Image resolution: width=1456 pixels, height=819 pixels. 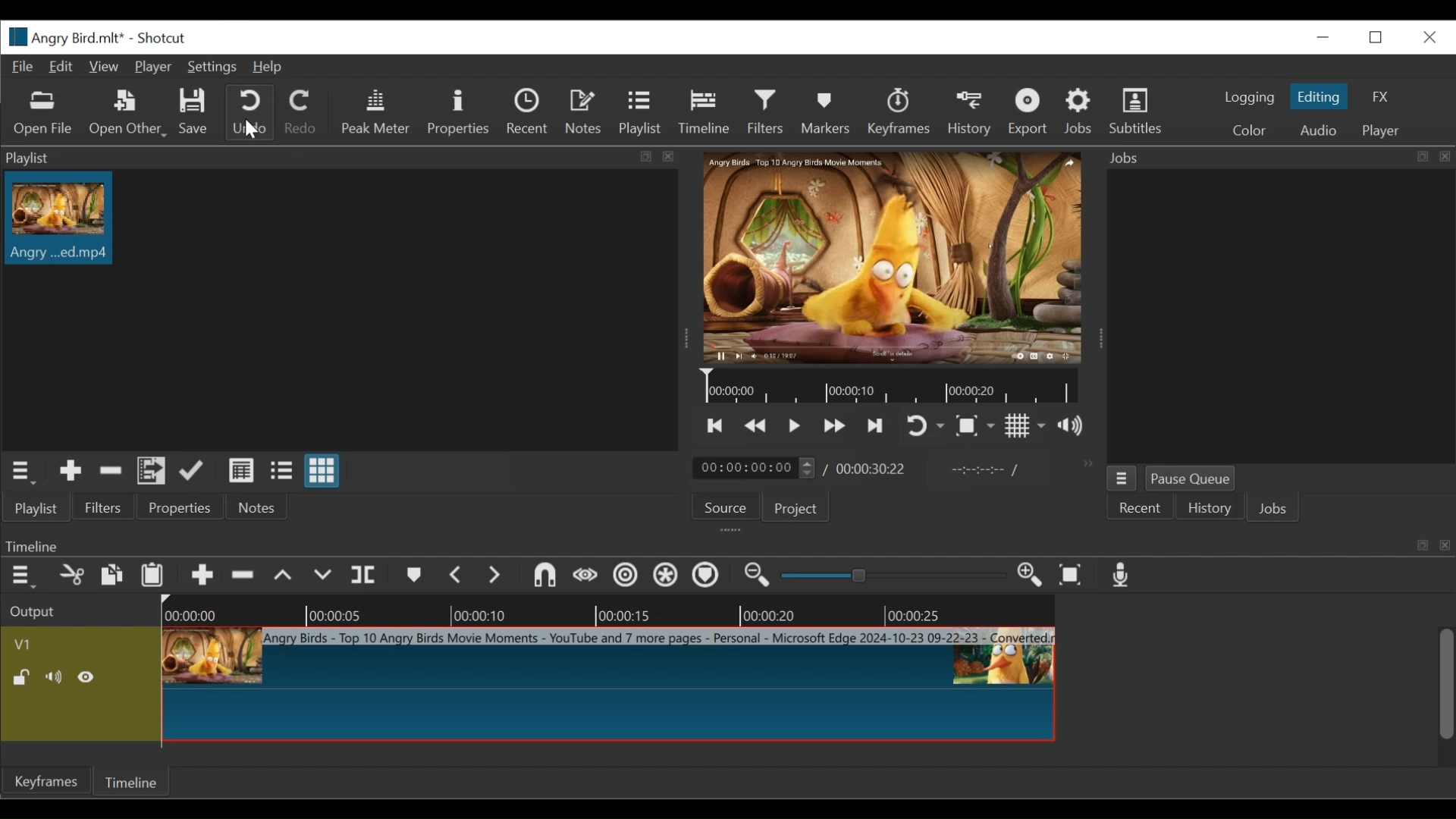 I want to click on Open Files, so click(x=45, y=114).